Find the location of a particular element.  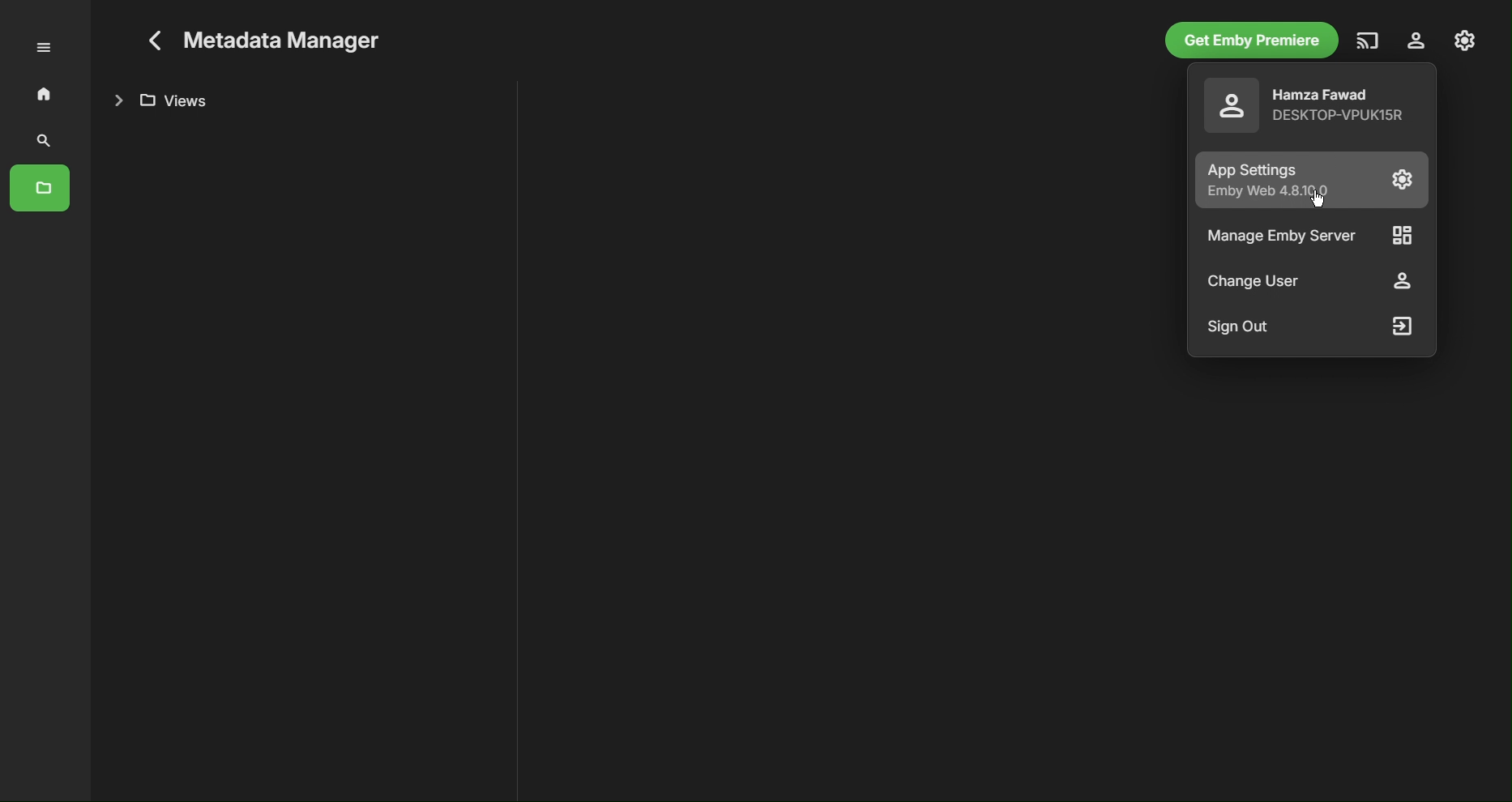

Folders is located at coordinates (43, 186).